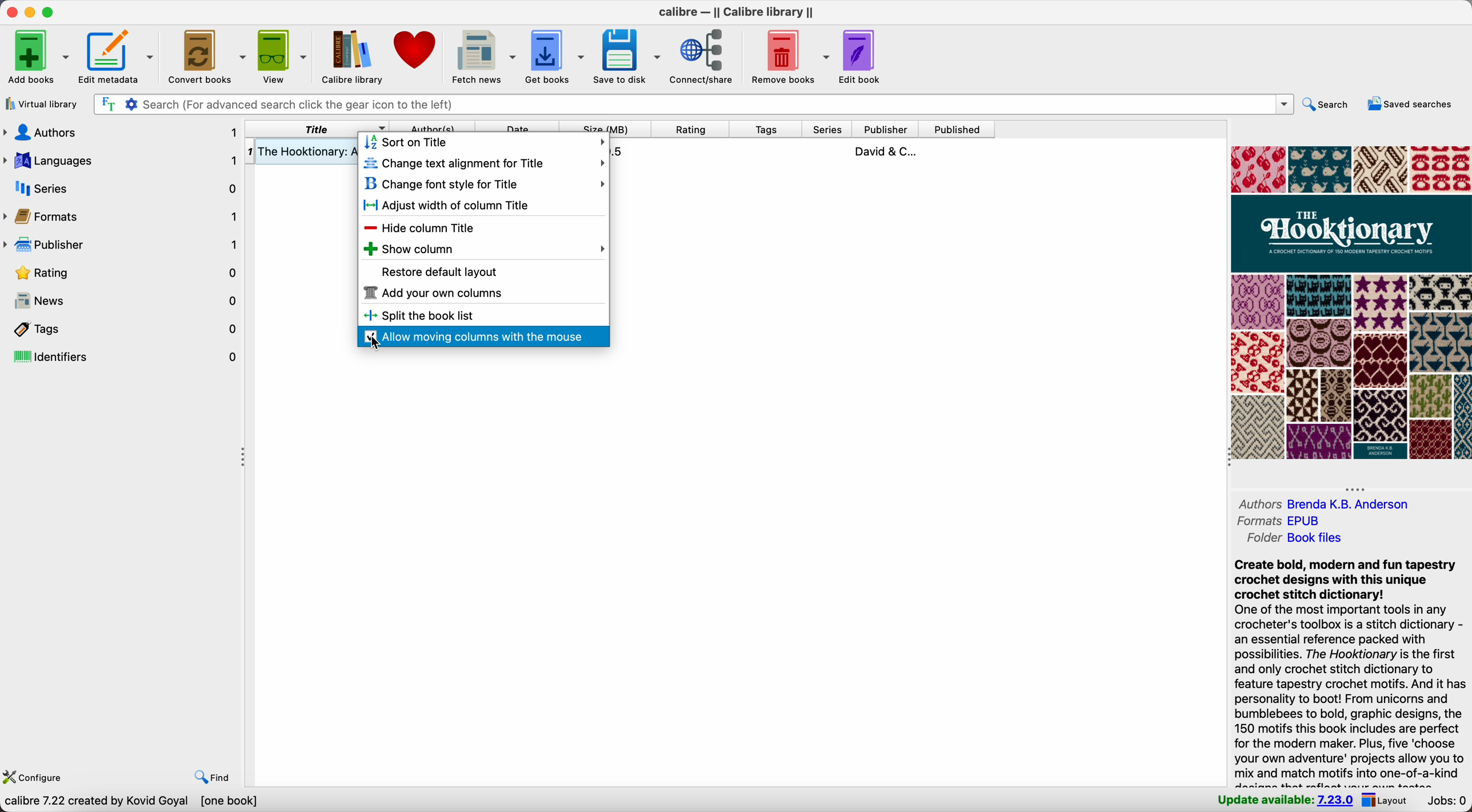 This screenshot has height=812, width=1472. I want to click on authors, so click(1327, 503).